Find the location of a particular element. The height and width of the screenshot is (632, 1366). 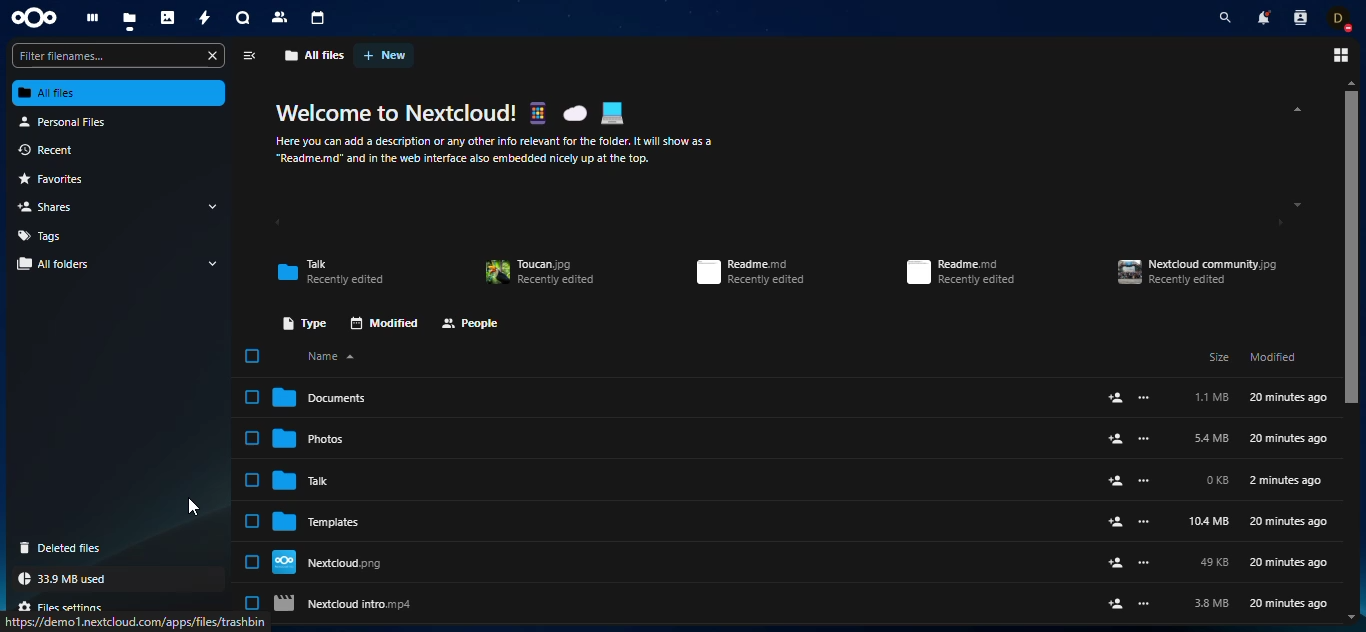

Modified is located at coordinates (1274, 357).